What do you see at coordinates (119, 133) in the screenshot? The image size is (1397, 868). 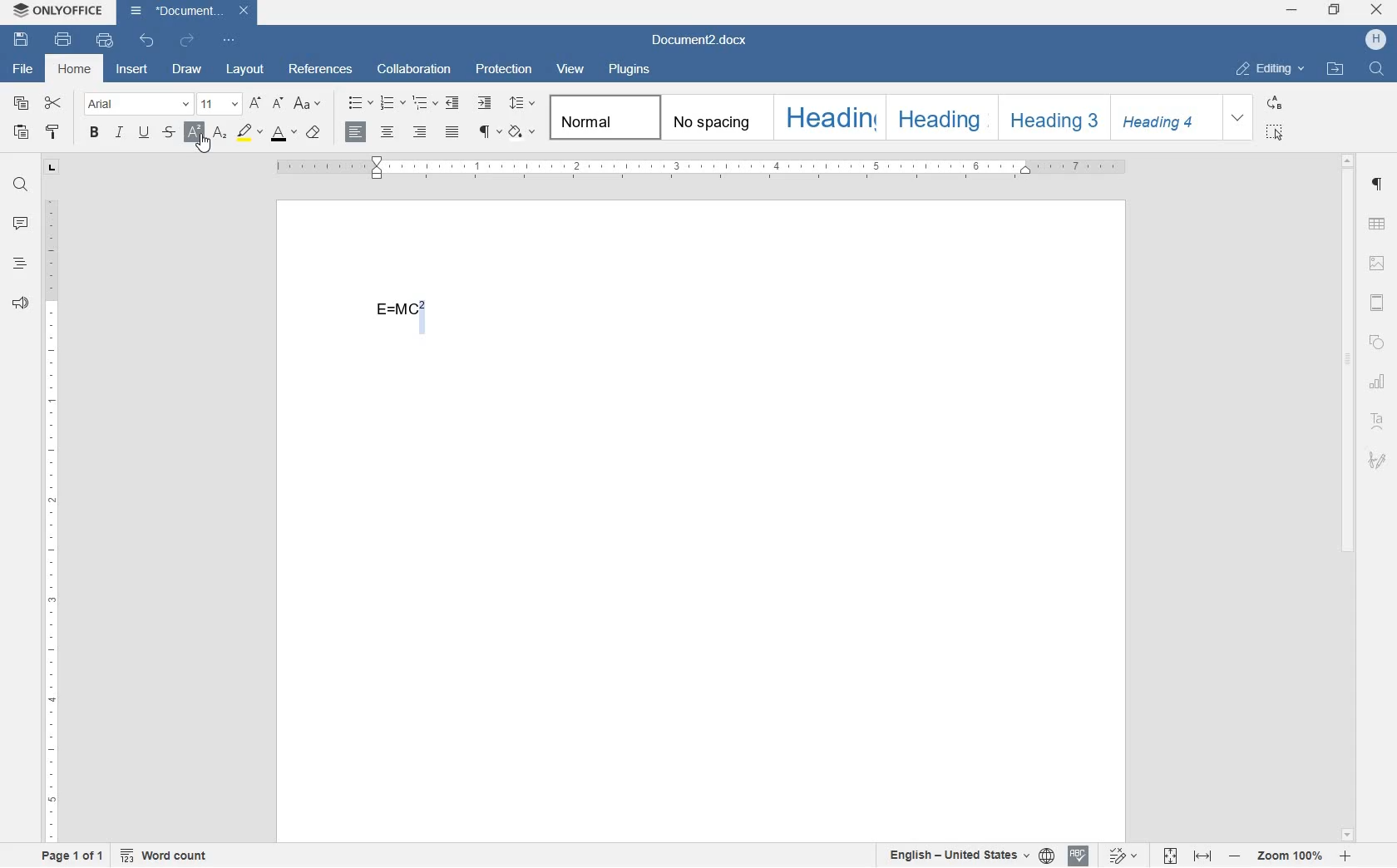 I see `italic` at bounding box center [119, 133].